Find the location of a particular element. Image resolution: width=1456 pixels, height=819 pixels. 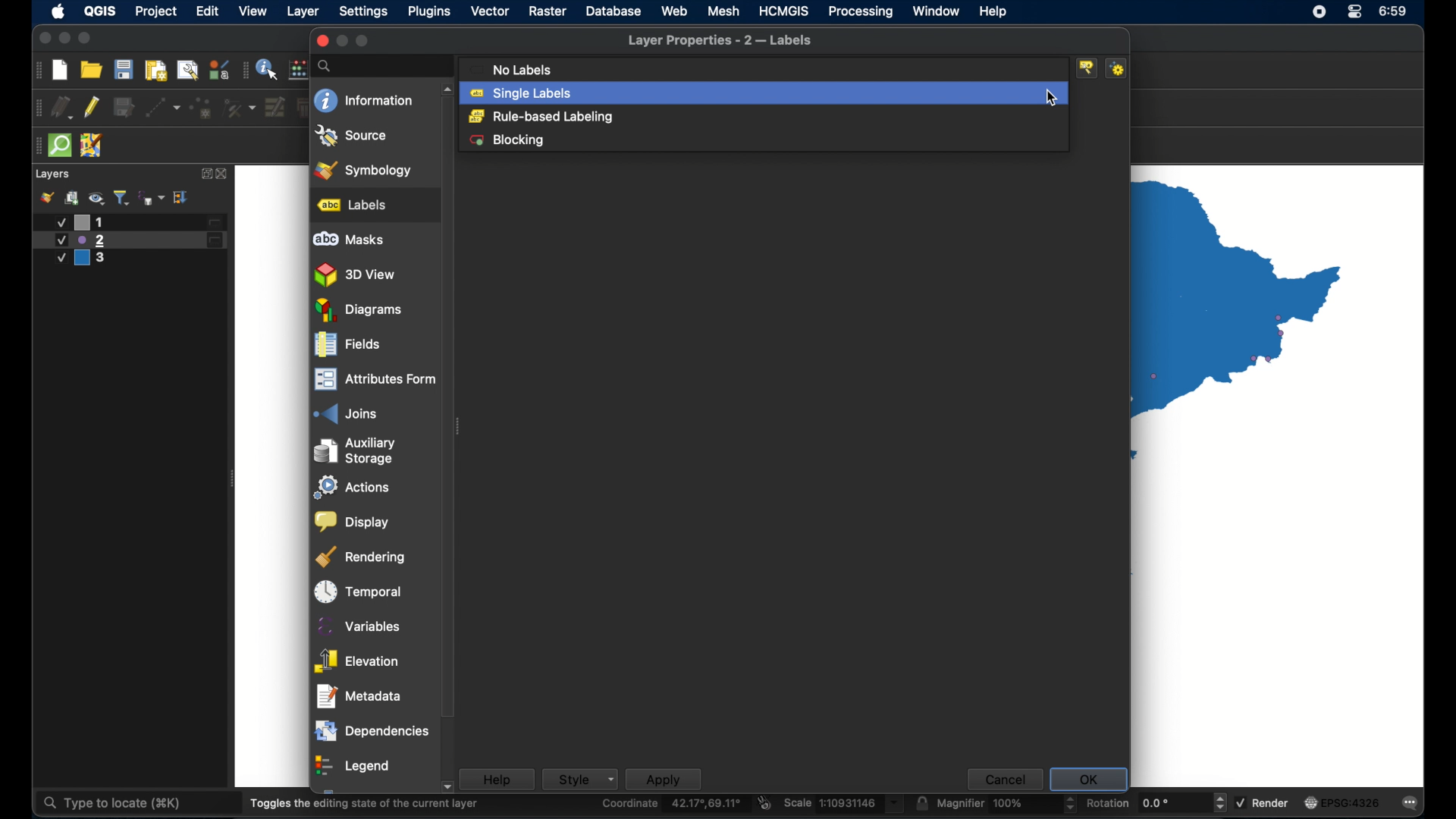

processing is located at coordinates (860, 11).